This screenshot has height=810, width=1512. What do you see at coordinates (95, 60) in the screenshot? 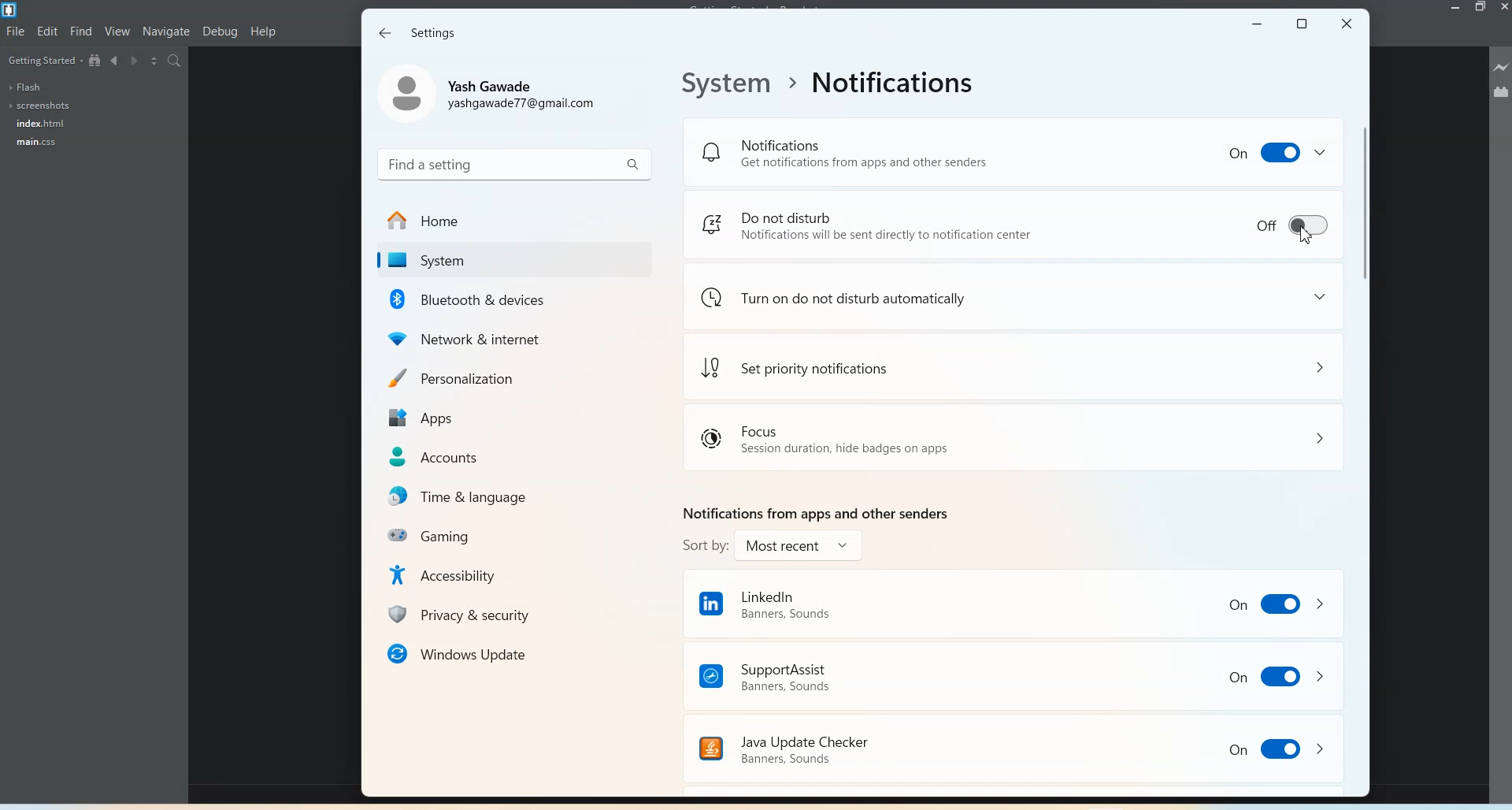
I see `View in file tree` at bounding box center [95, 60].